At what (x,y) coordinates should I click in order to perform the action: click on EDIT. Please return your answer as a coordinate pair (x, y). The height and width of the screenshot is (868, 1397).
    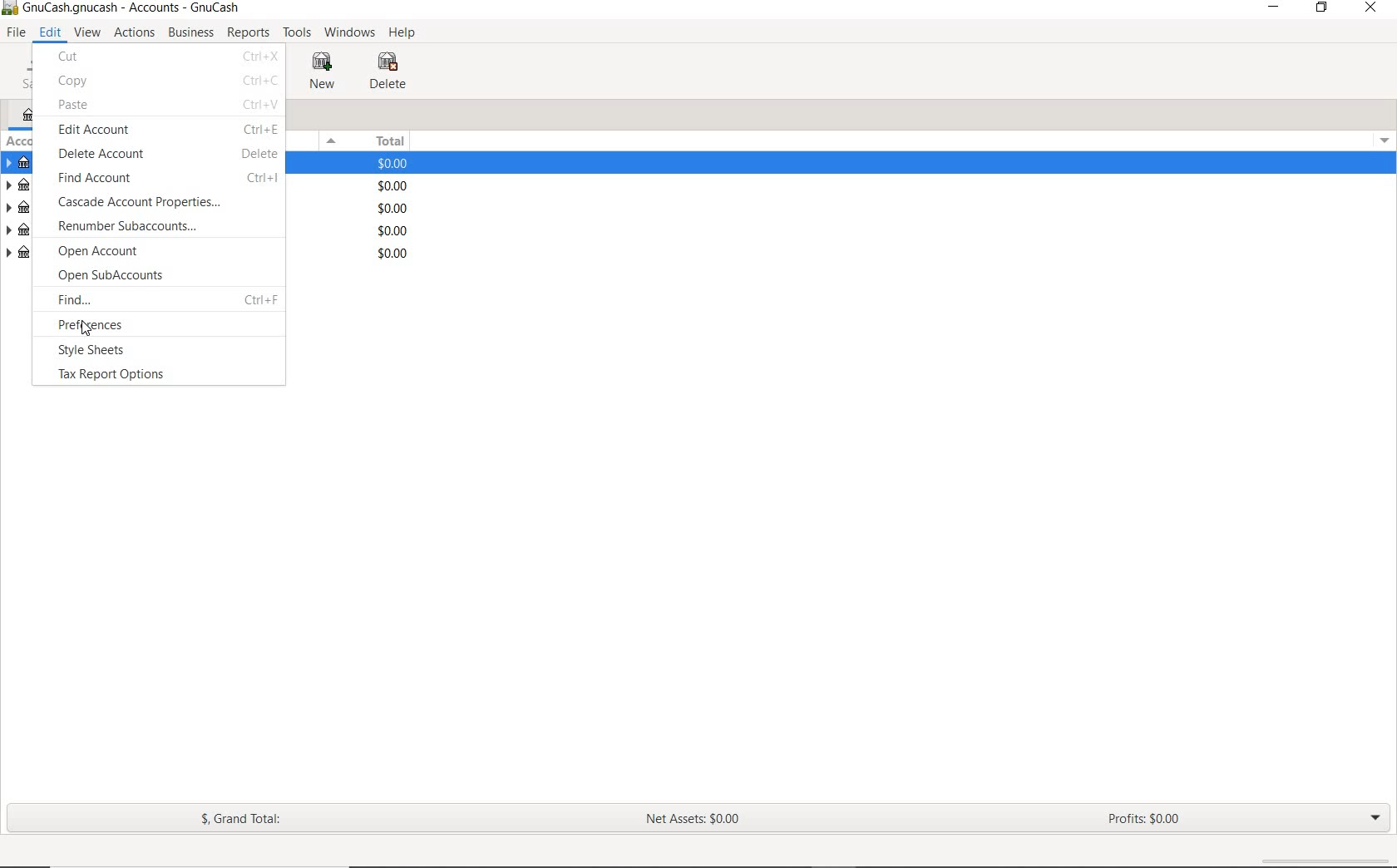
    Looking at the image, I should click on (50, 32).